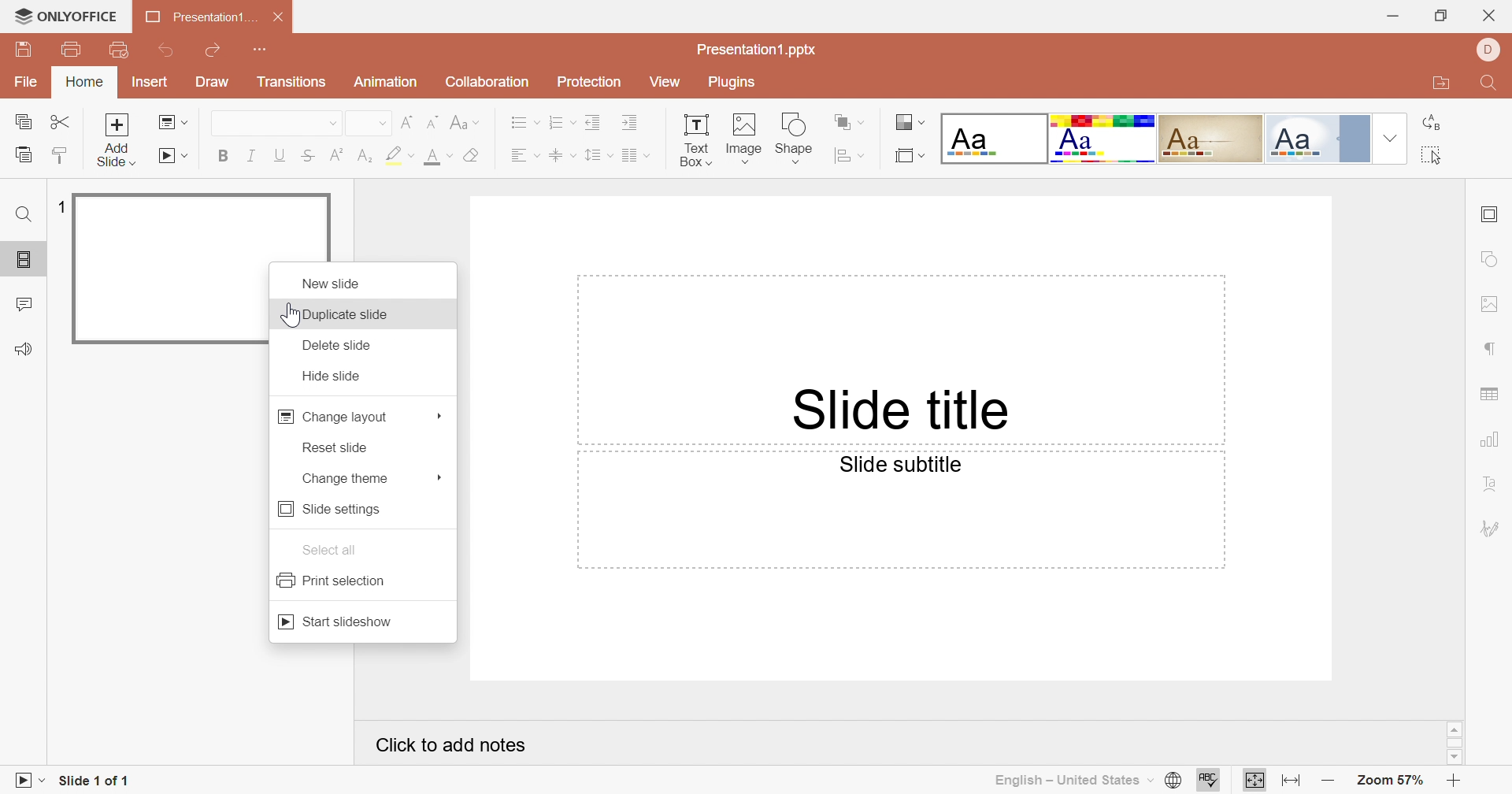  What do you see at coordinates (476, 155) in the screenshot?
I see `Clear style` at bounding box center [476, 155].